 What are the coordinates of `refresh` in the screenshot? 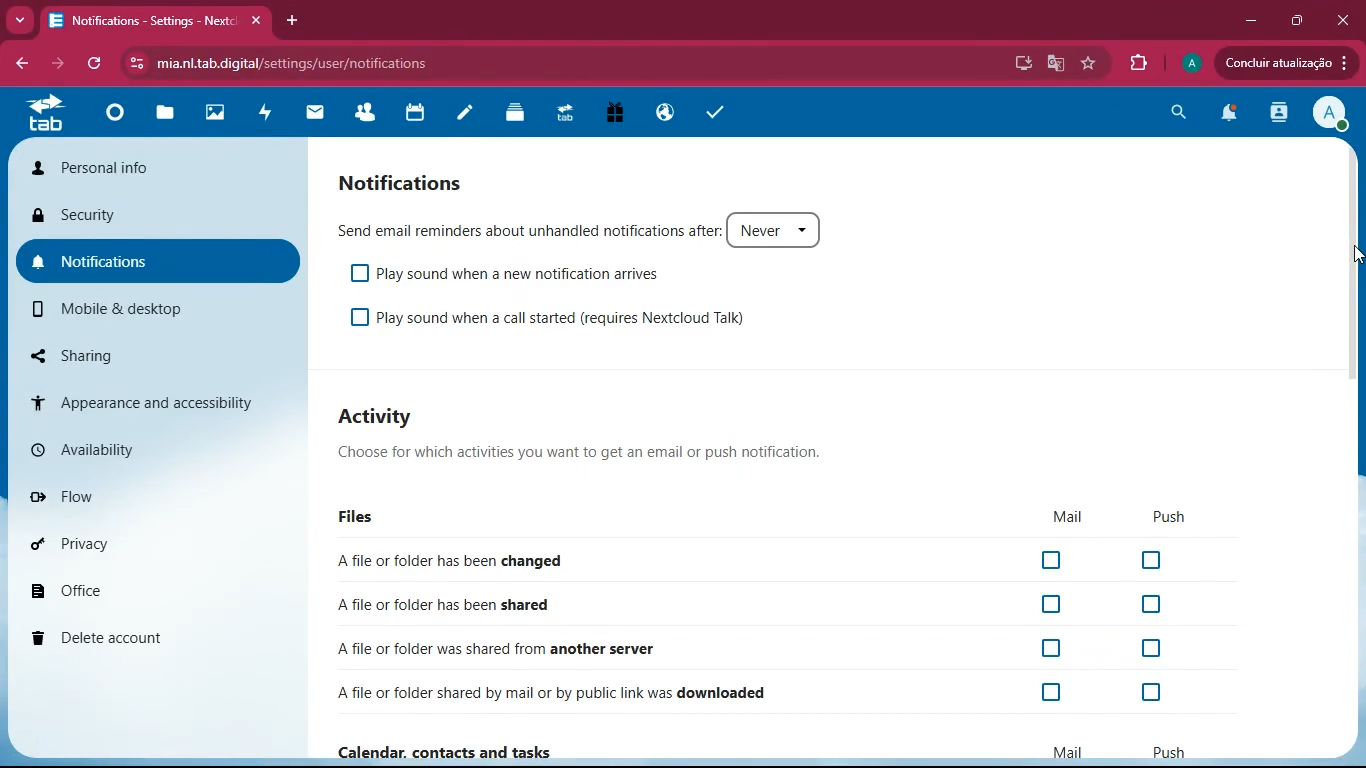 It's located at (98, 64).